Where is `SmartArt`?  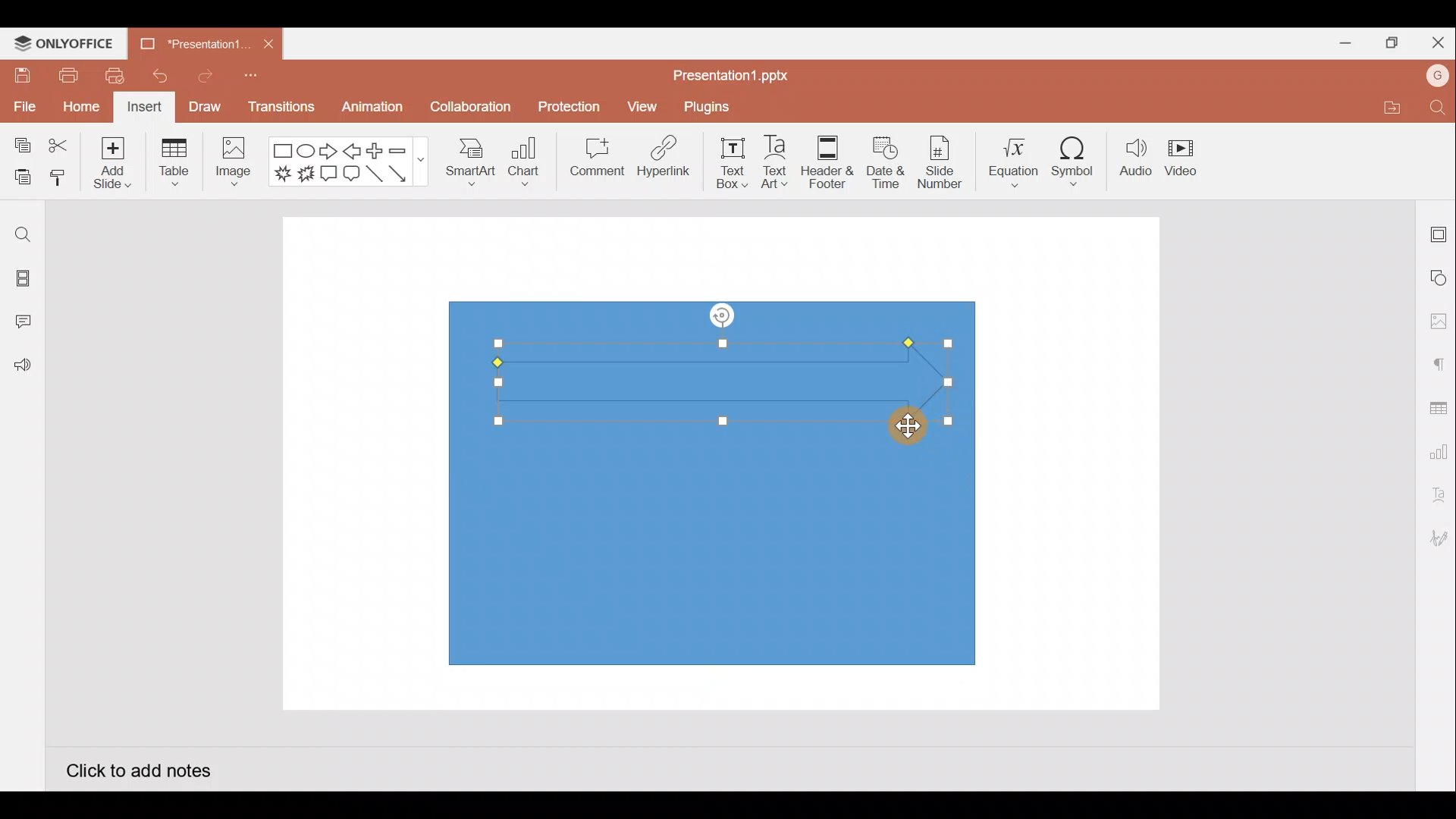 SmartArt is located at coordinates (469, 159).